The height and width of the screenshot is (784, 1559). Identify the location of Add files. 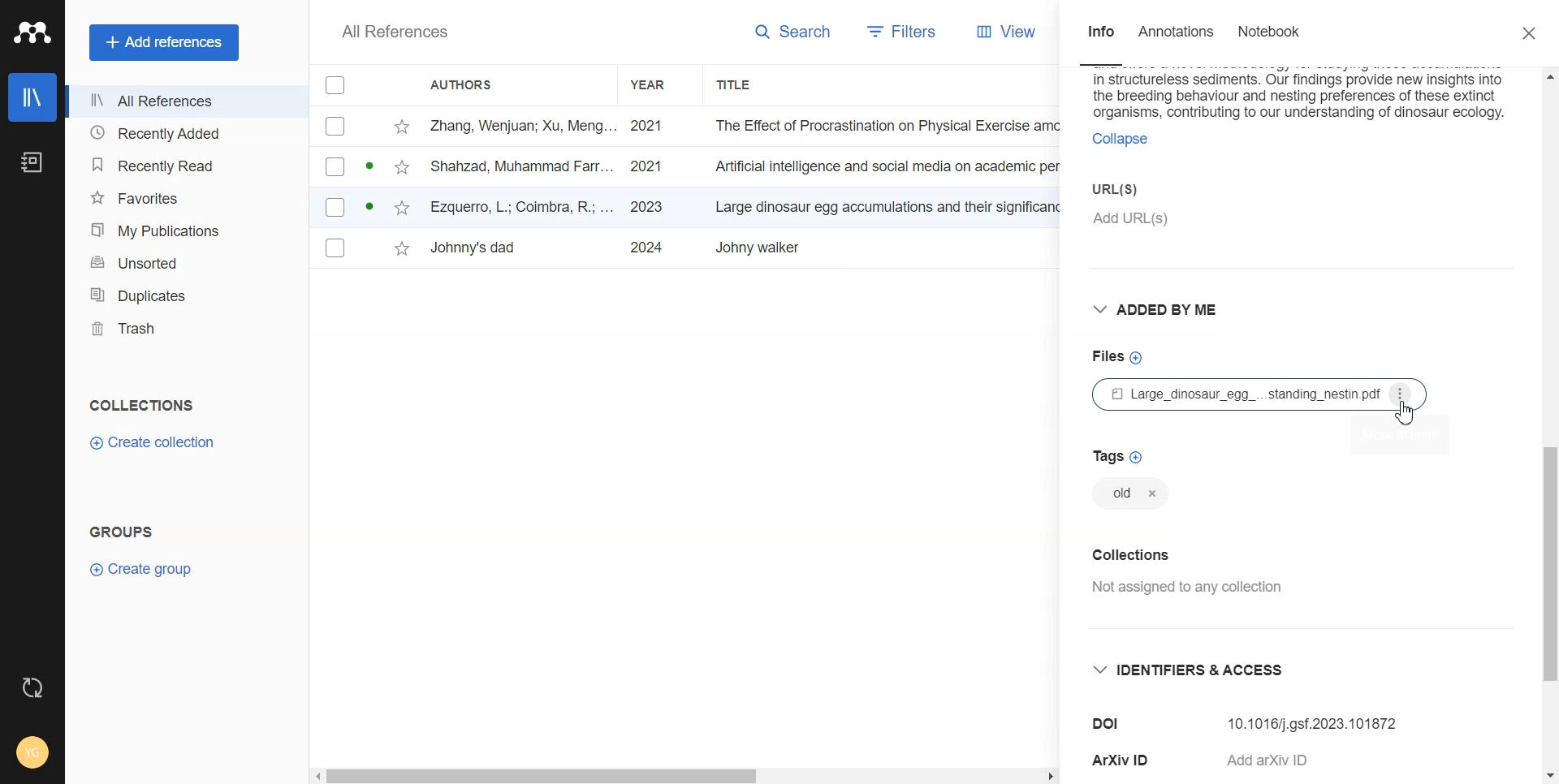
(1116, 356).